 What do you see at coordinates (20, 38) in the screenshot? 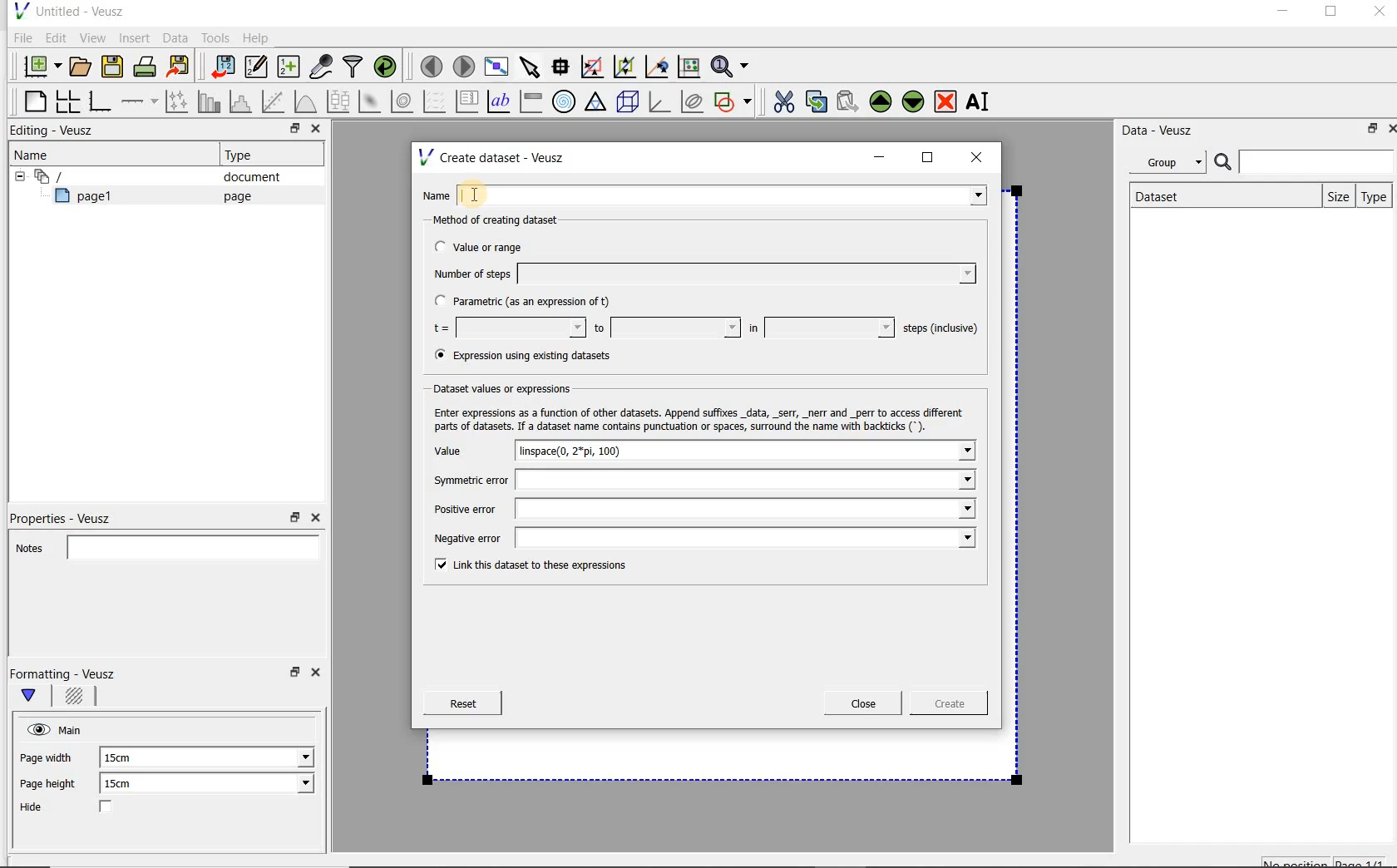
I see `File` at bounding box center [20, 38].